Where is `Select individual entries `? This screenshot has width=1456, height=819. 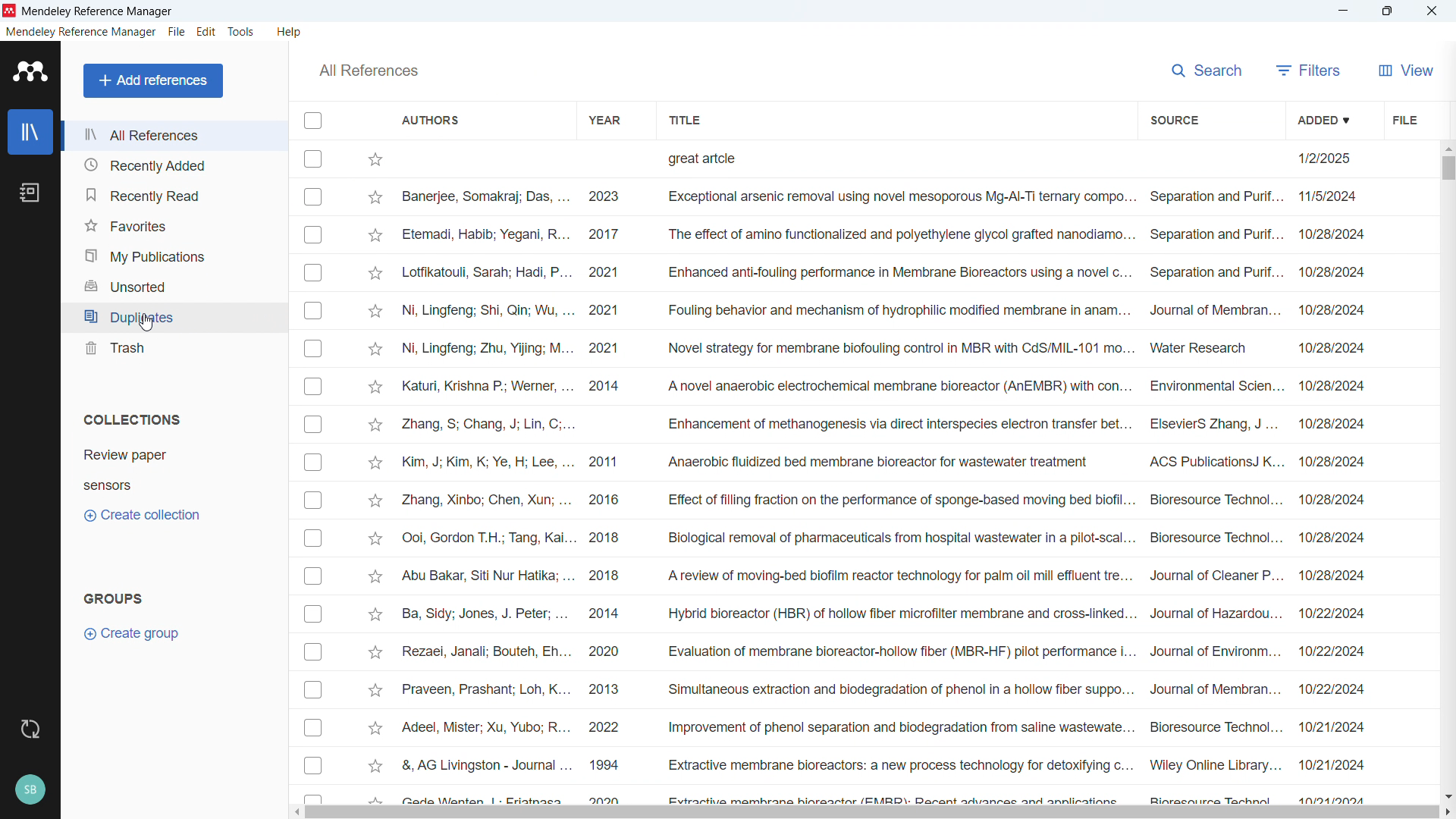
Select individual entries  is located at coordinates (312, 474).